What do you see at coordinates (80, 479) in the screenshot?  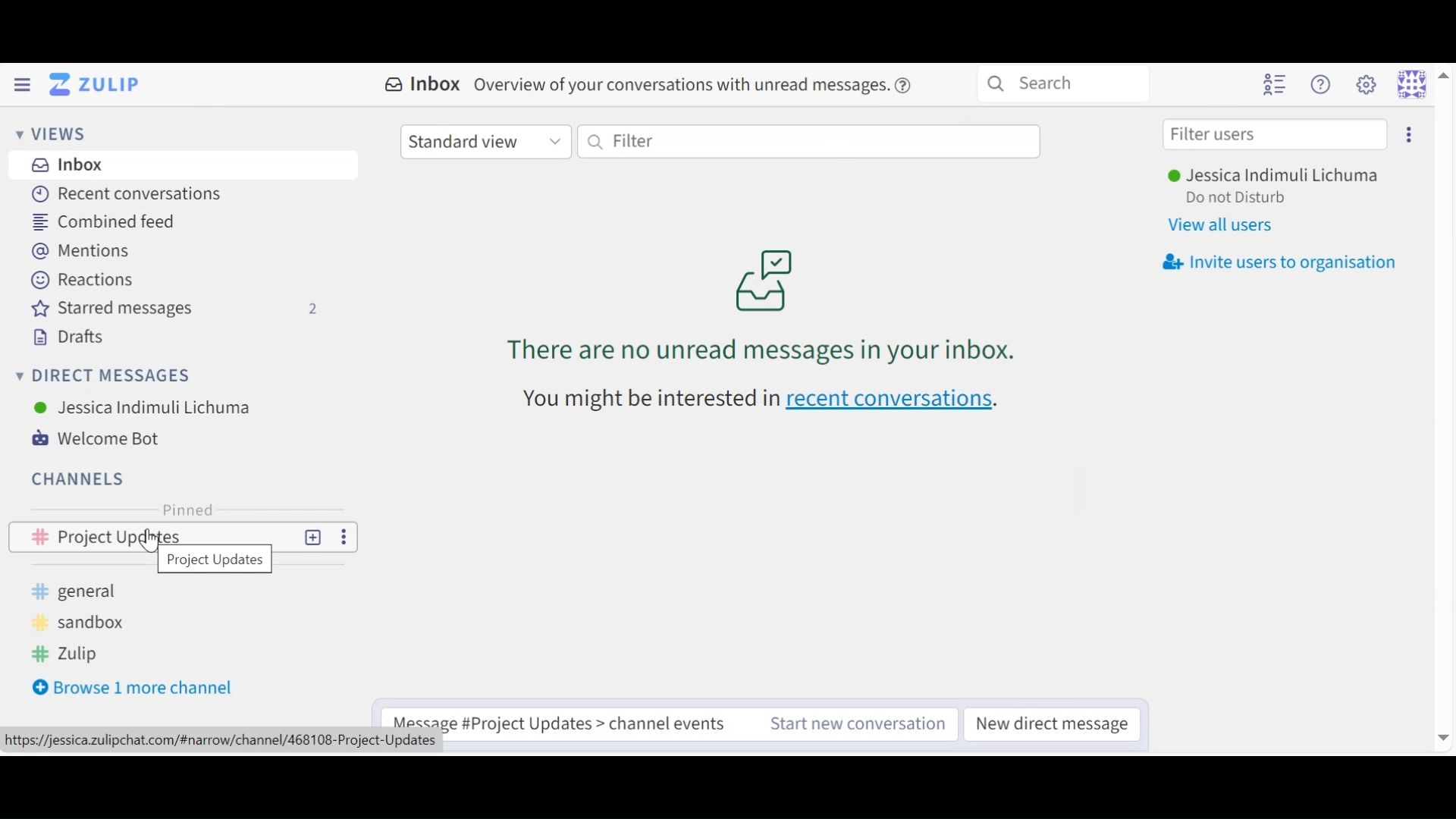 I see `Channels` at bounding box center [80, 479].